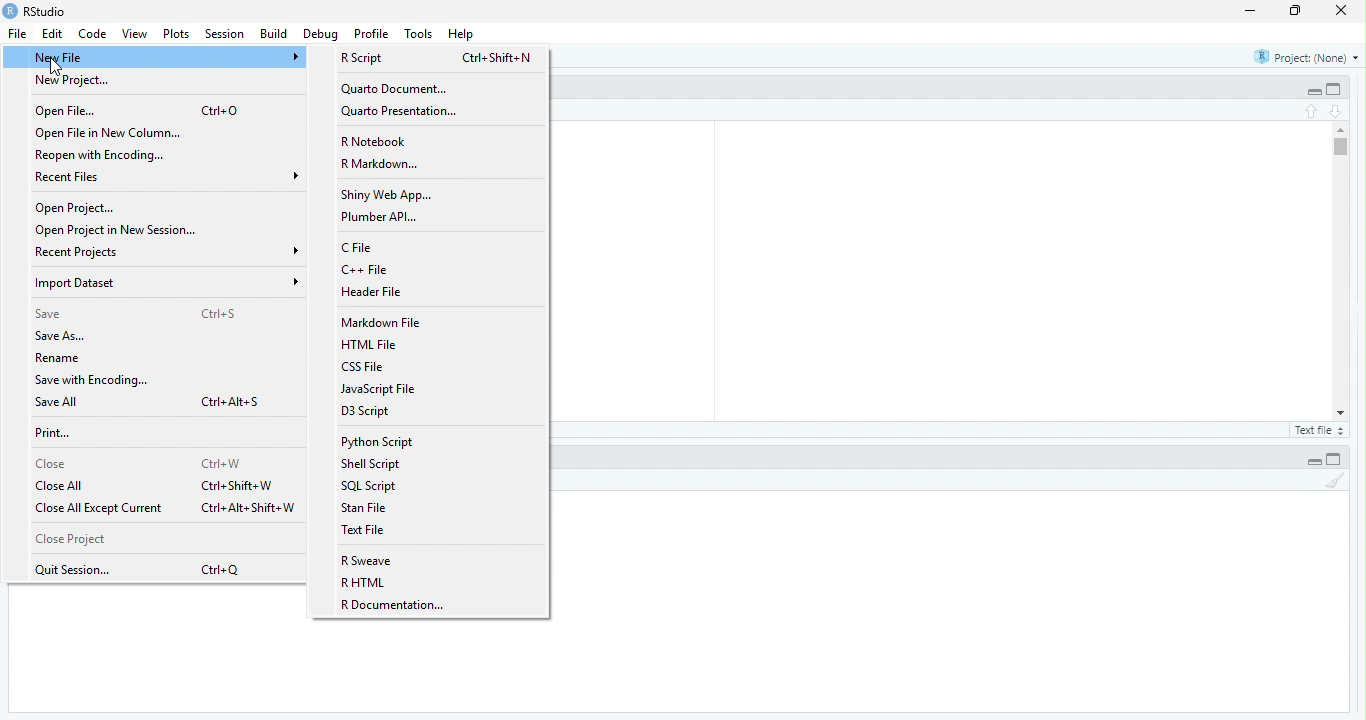  I want to click on Open Project..., so click(75, 208).